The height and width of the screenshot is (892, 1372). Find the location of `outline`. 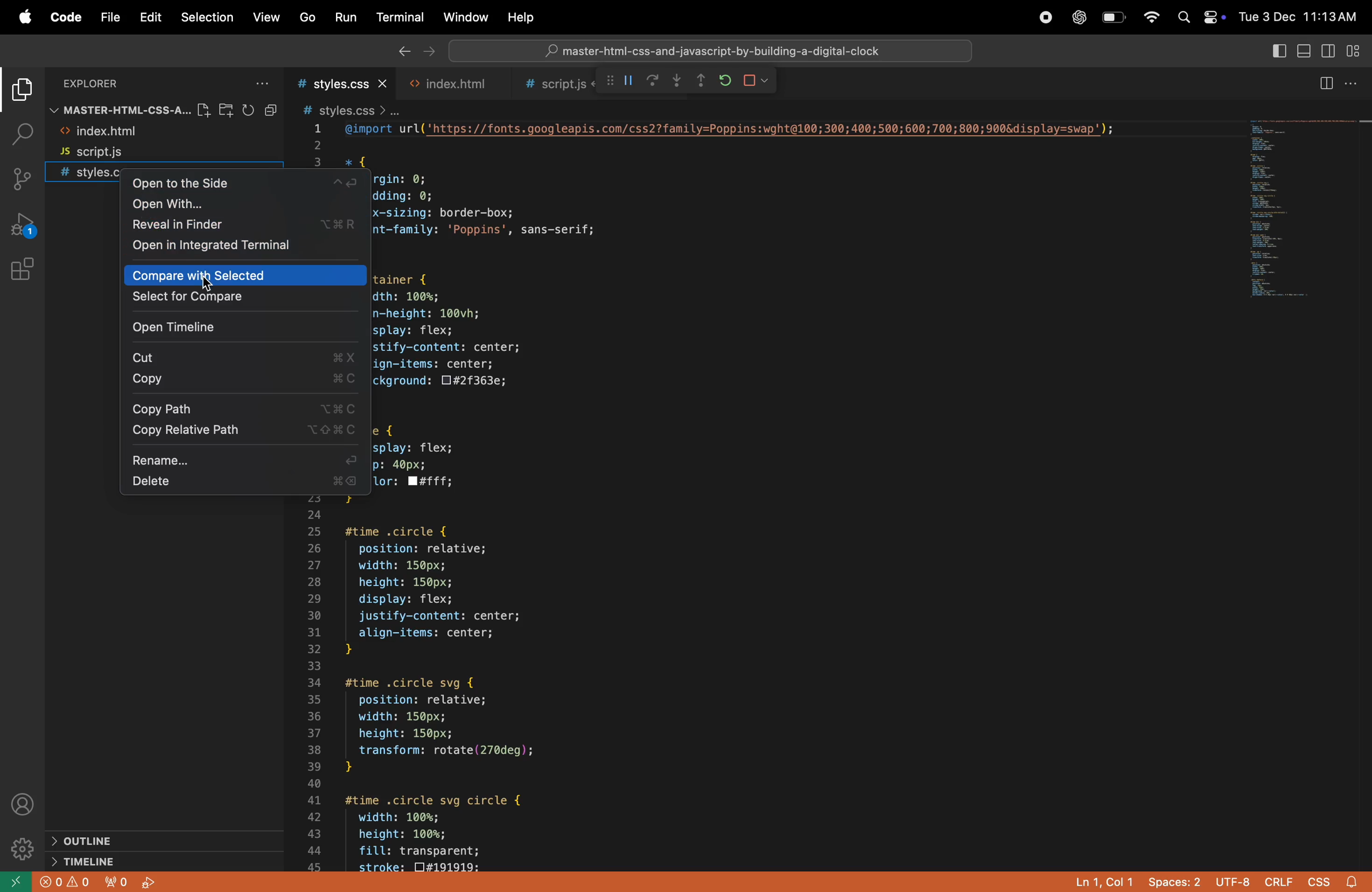

outline is located at coordinates (95, 842).